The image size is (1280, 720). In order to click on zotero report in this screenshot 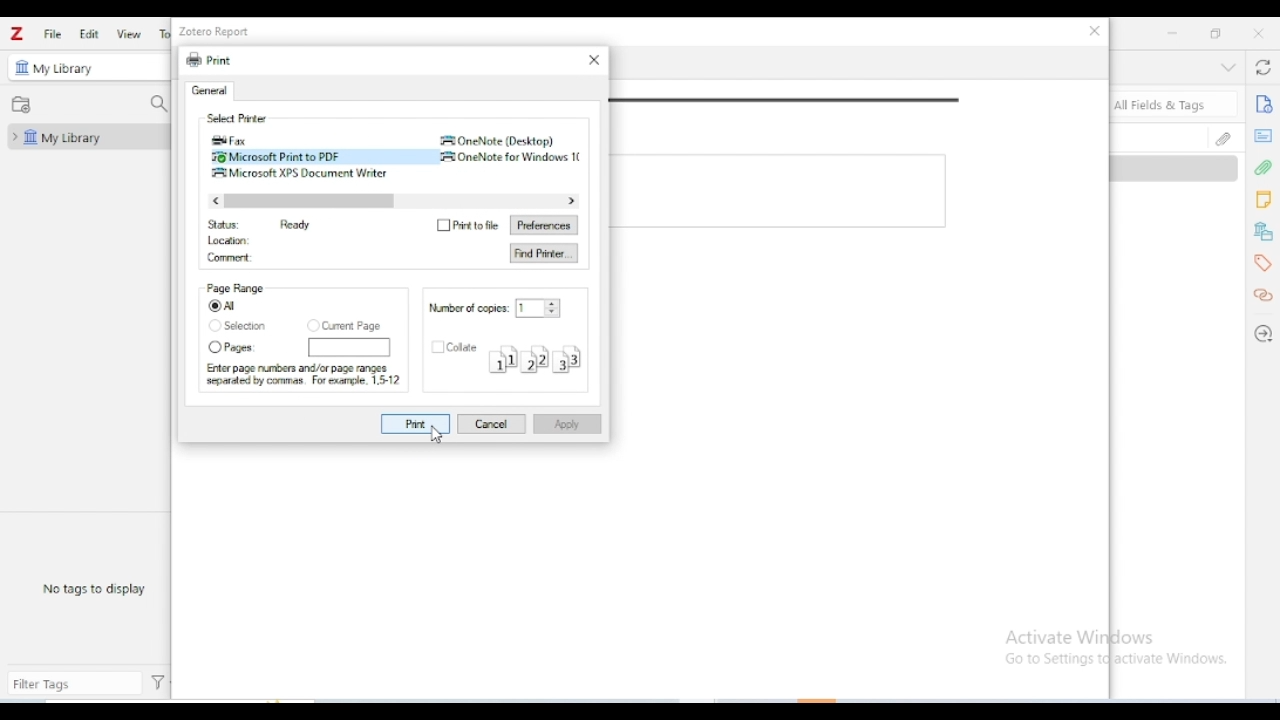, I will do `click(214, 31)`.